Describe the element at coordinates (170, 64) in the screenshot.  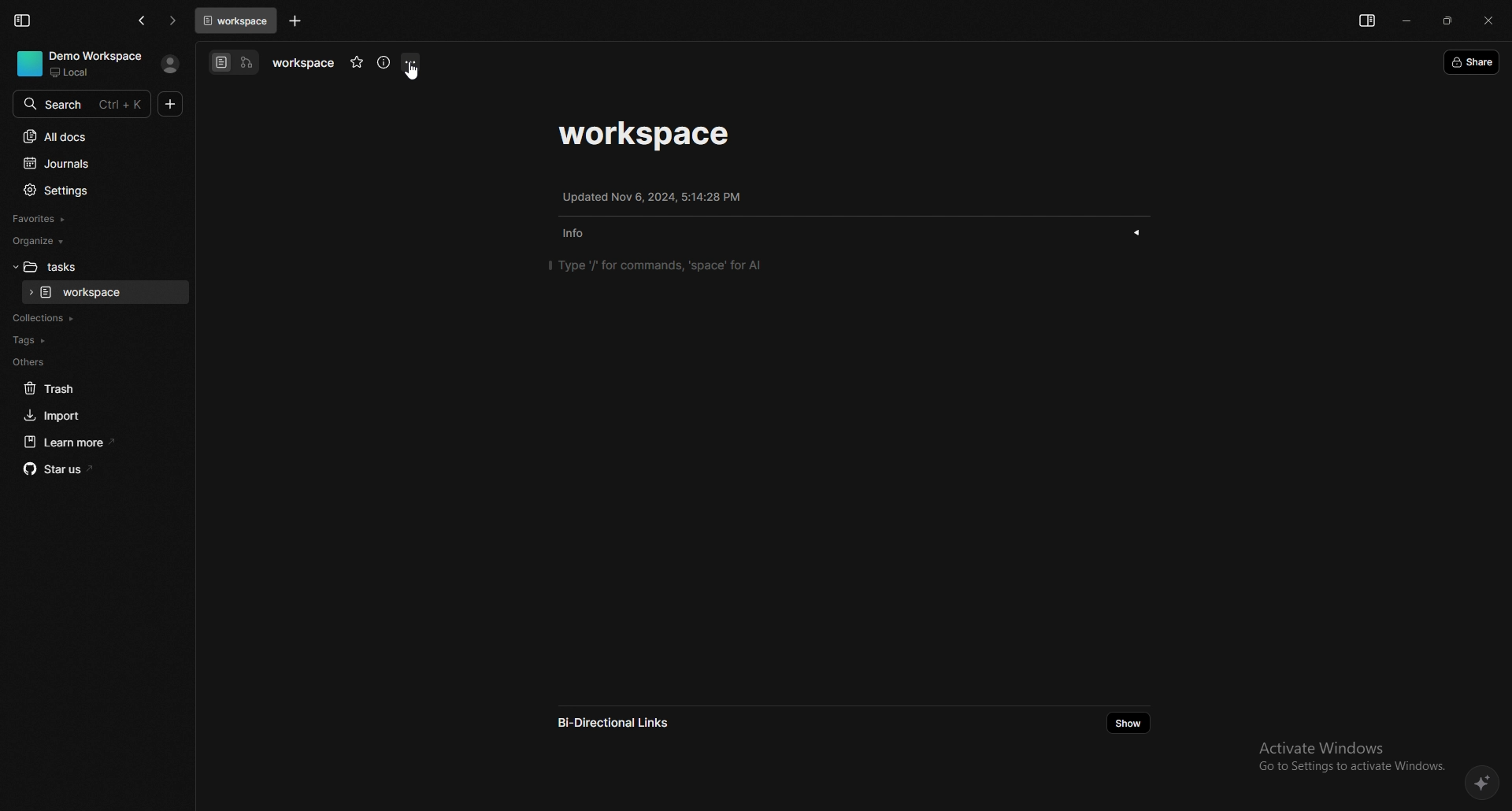
I see `profile` at that location.